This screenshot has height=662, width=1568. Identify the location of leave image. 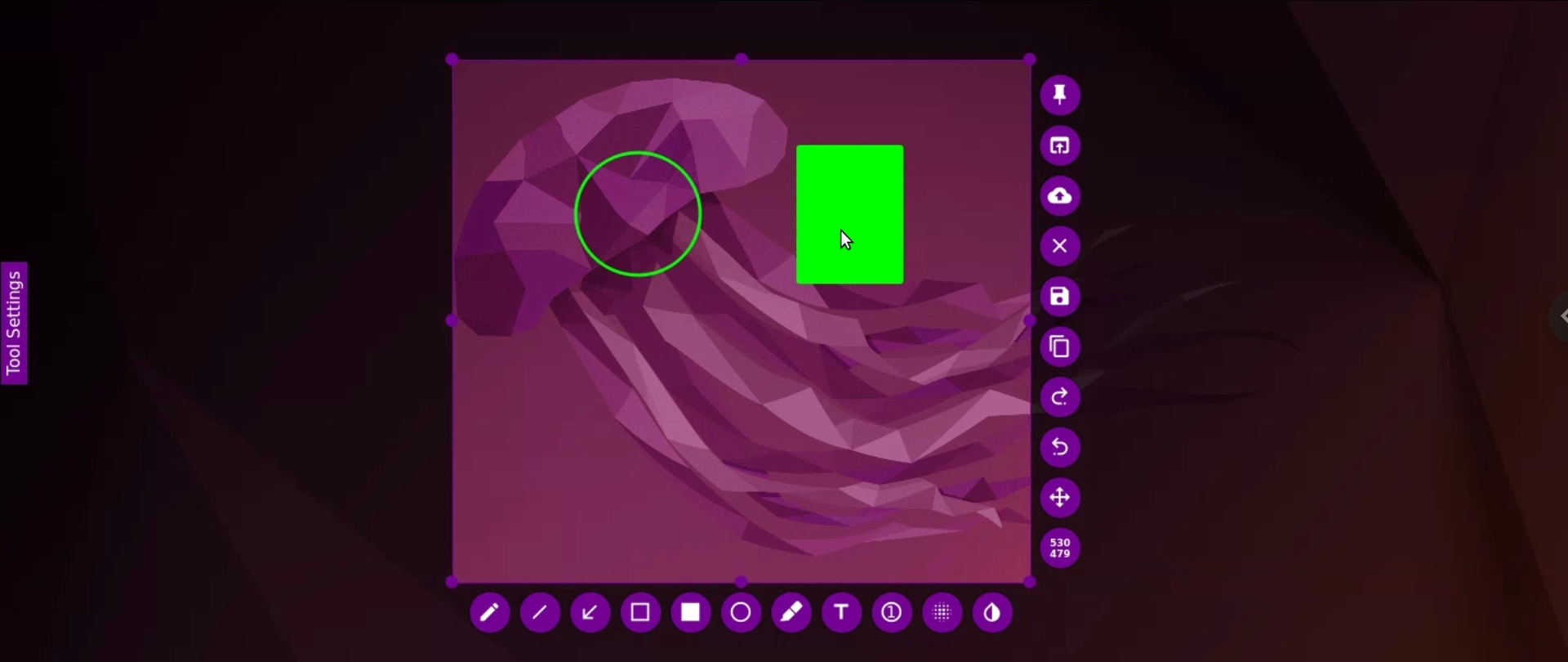
(1063, 248).